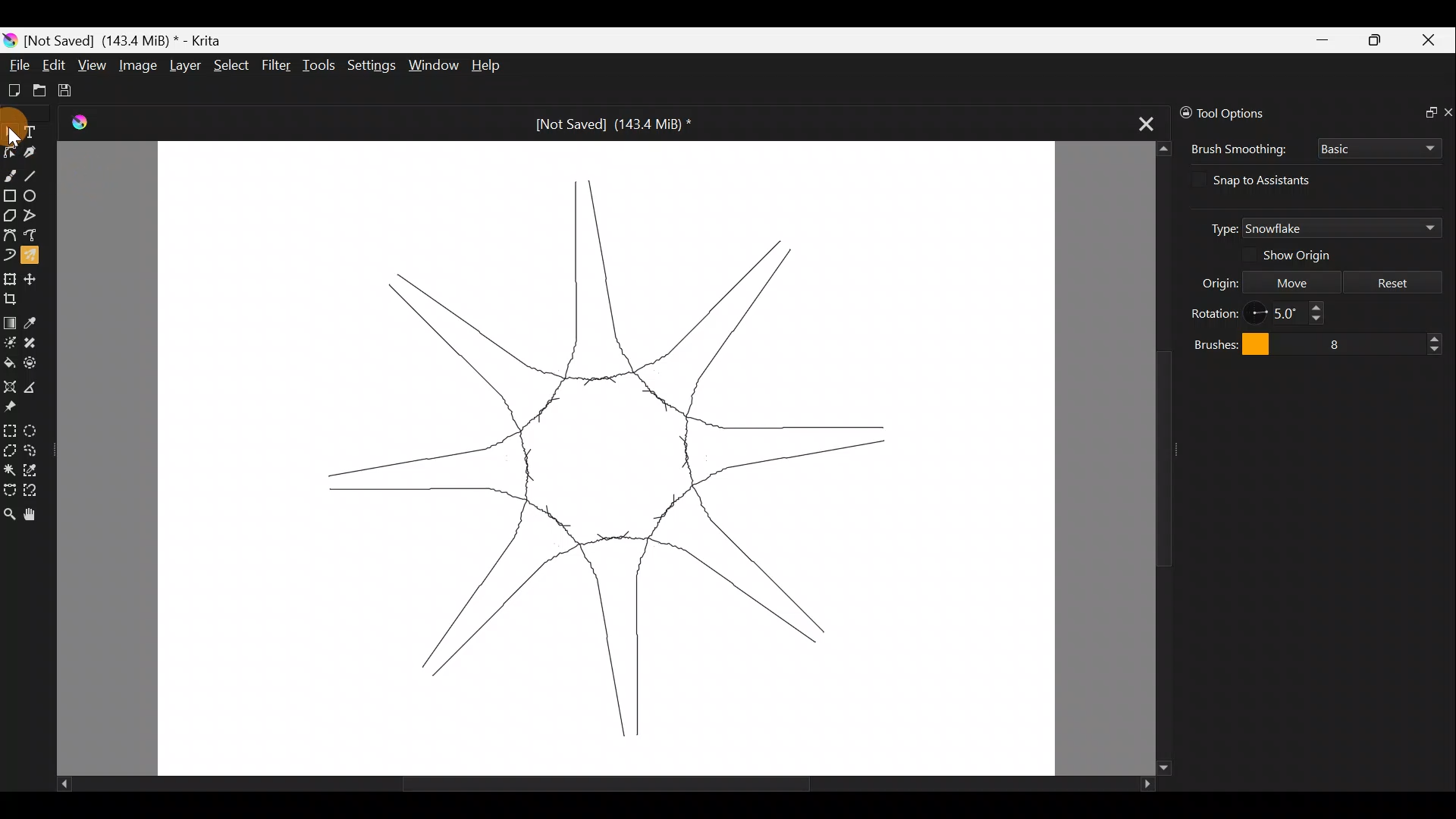  What do you see at coordinates (33, 450) in the screenshot?
I see `Freehand selection tool` at bounding box center [33, 450].